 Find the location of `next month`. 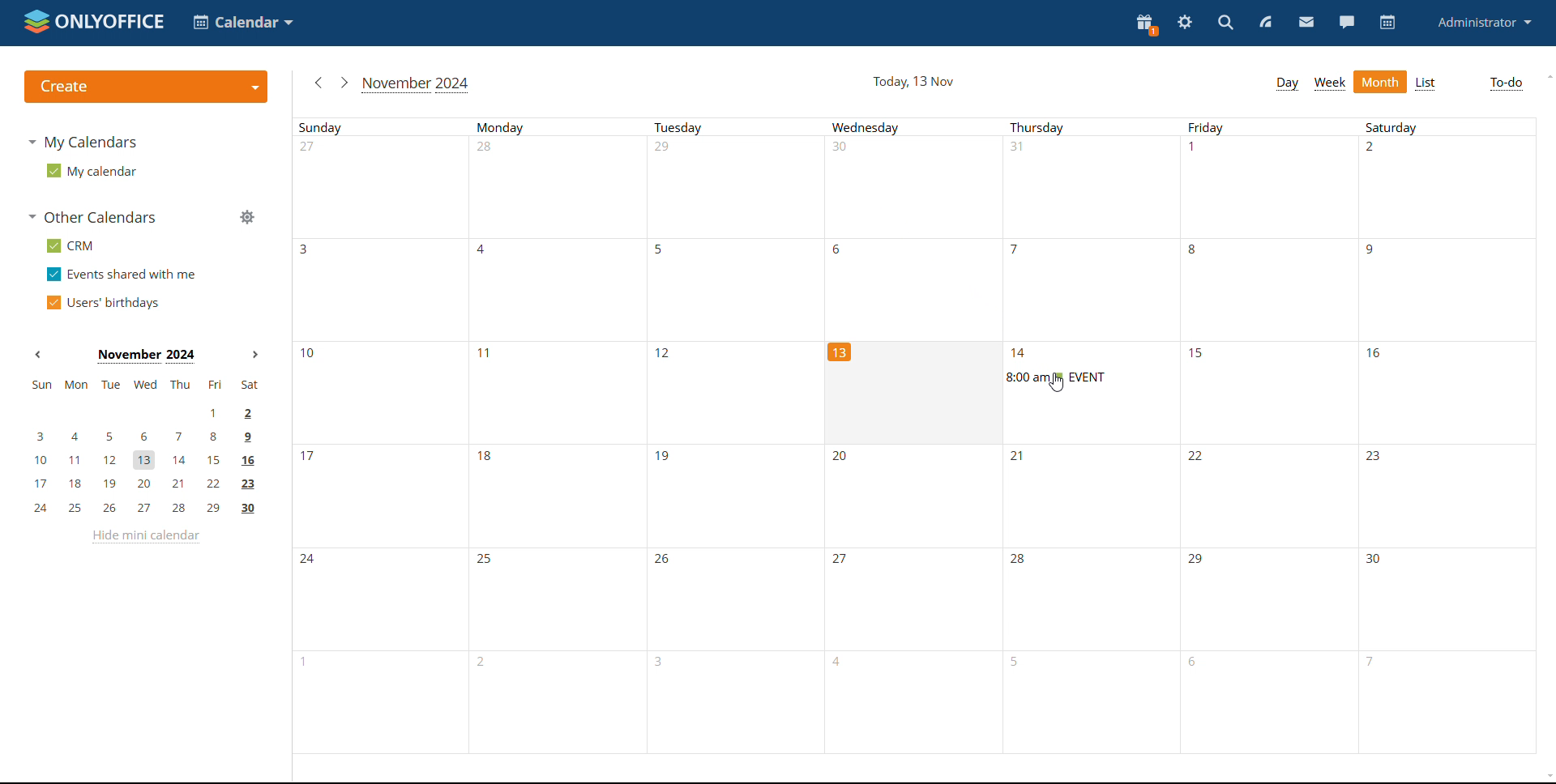

next month is located at coordinates (255, 355).